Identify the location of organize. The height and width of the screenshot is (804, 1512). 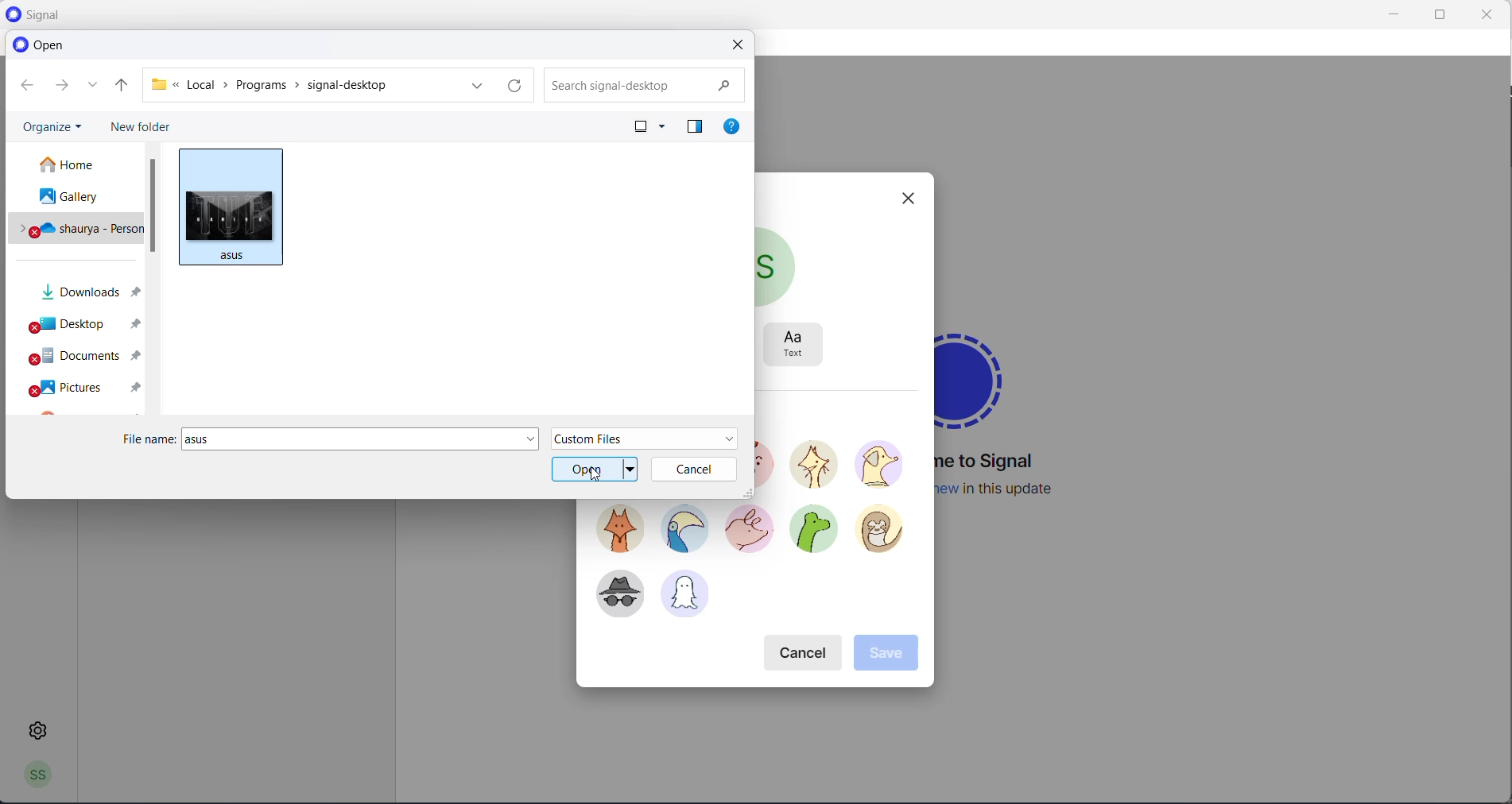
(52, 125).